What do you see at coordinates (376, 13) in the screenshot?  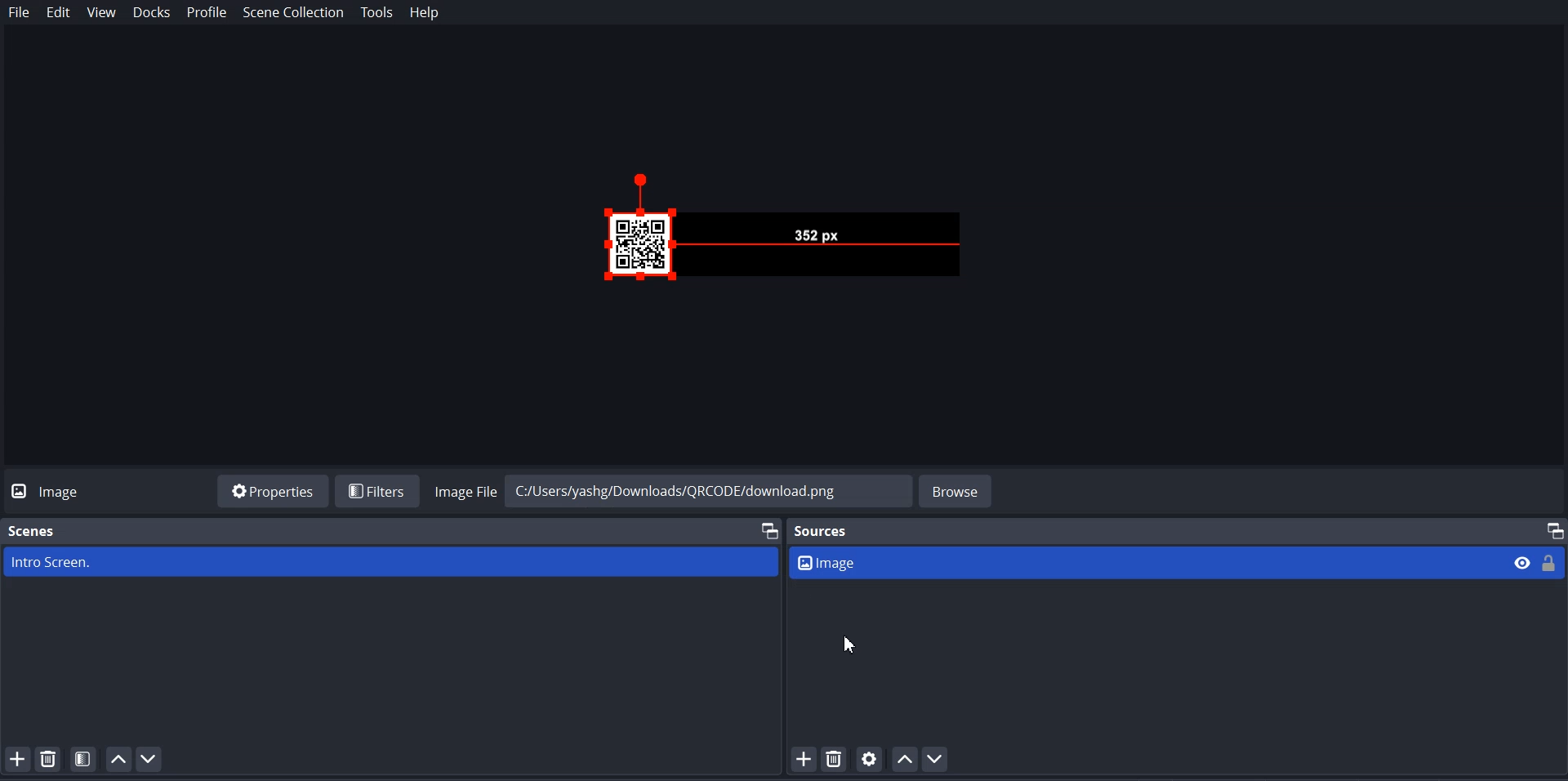 I see `Tools` at bounding box center [376, 13].